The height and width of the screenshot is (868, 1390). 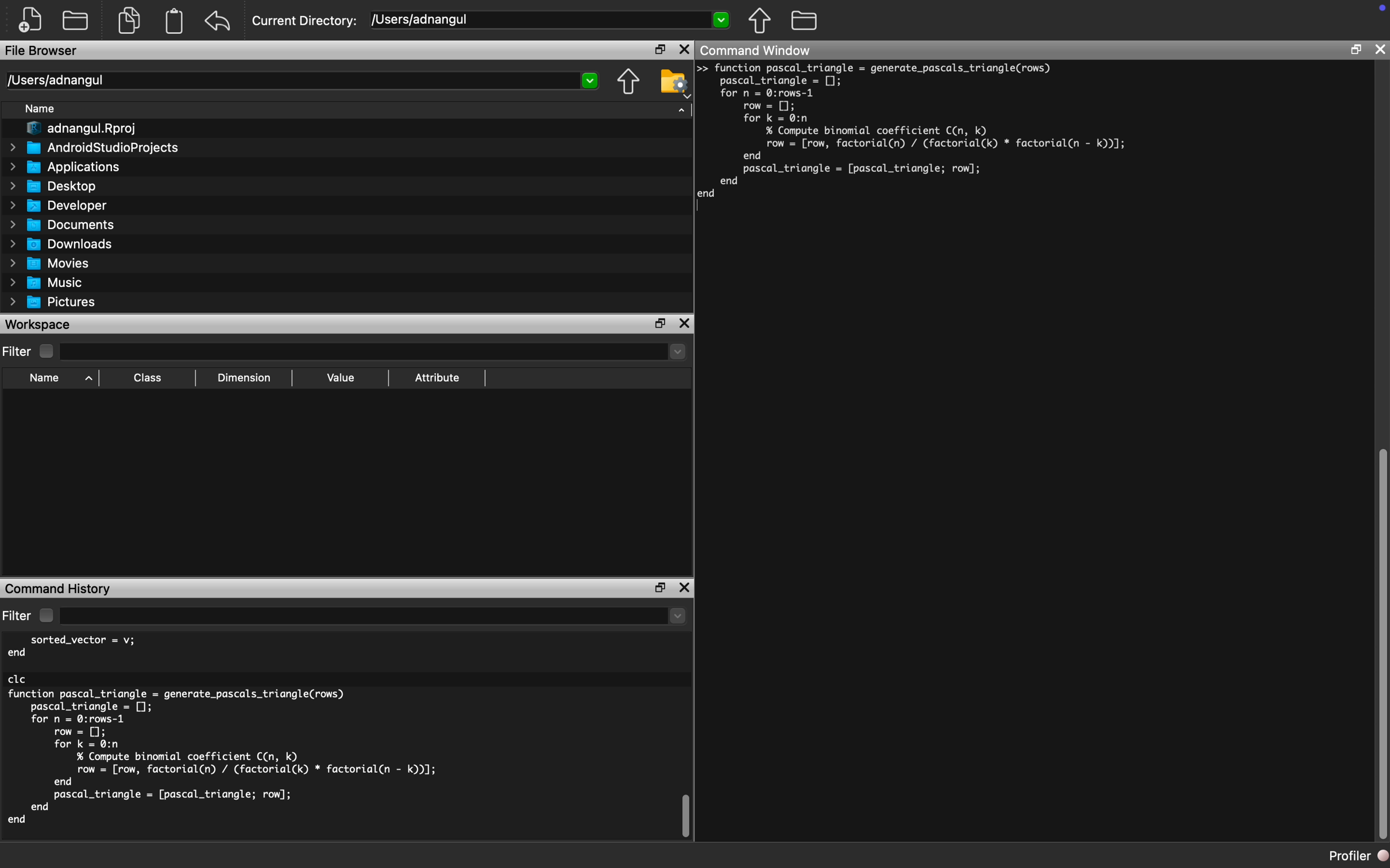 I want to click on Pictures, so click(x=53, y=304).